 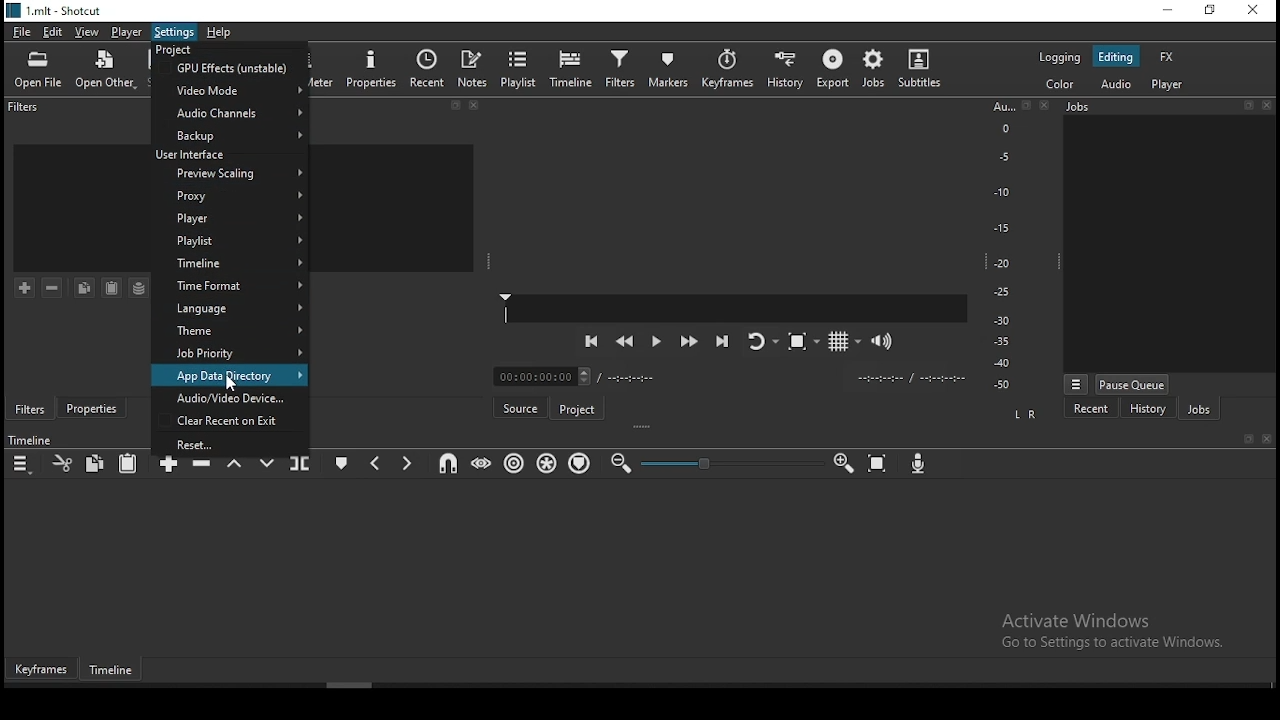 What do you see at coordinates (230, 51) in the screenshot?
I see `project` at bounding box center [230, 51].